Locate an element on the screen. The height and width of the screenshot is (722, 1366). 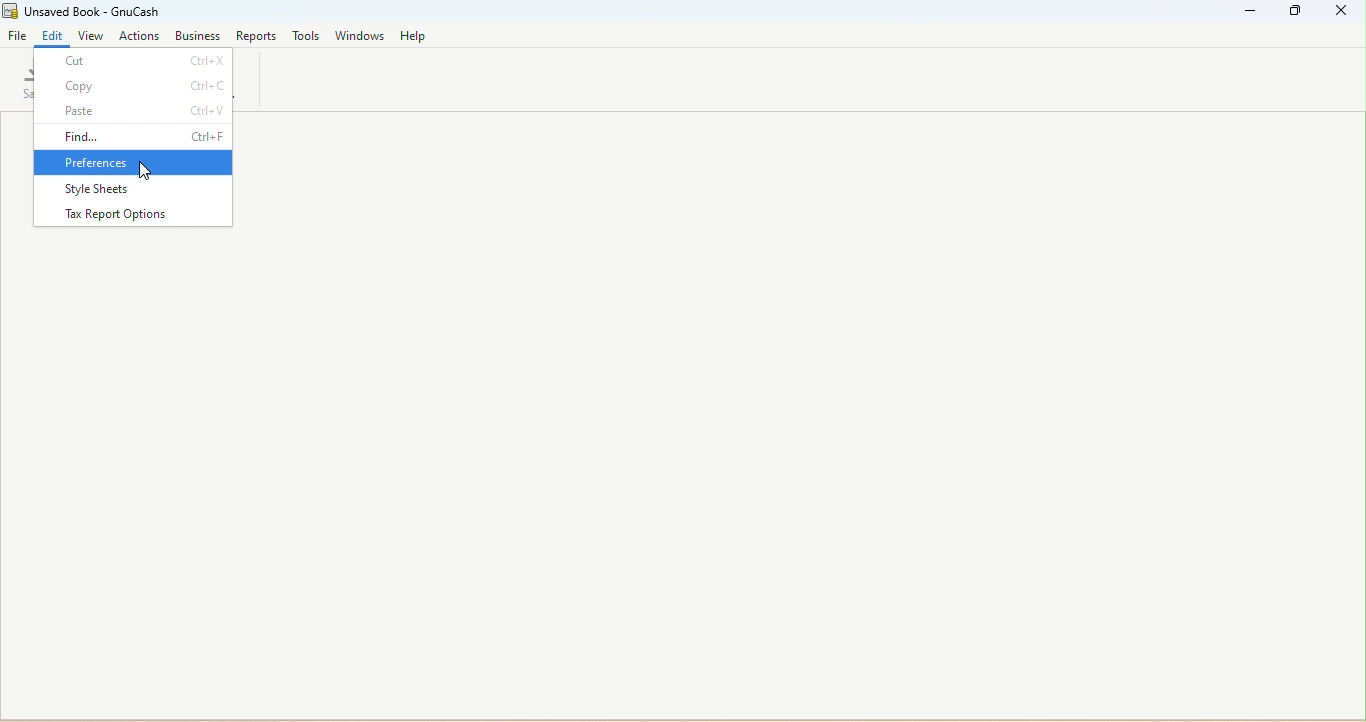
Cut is located at coordinates (133, 60).